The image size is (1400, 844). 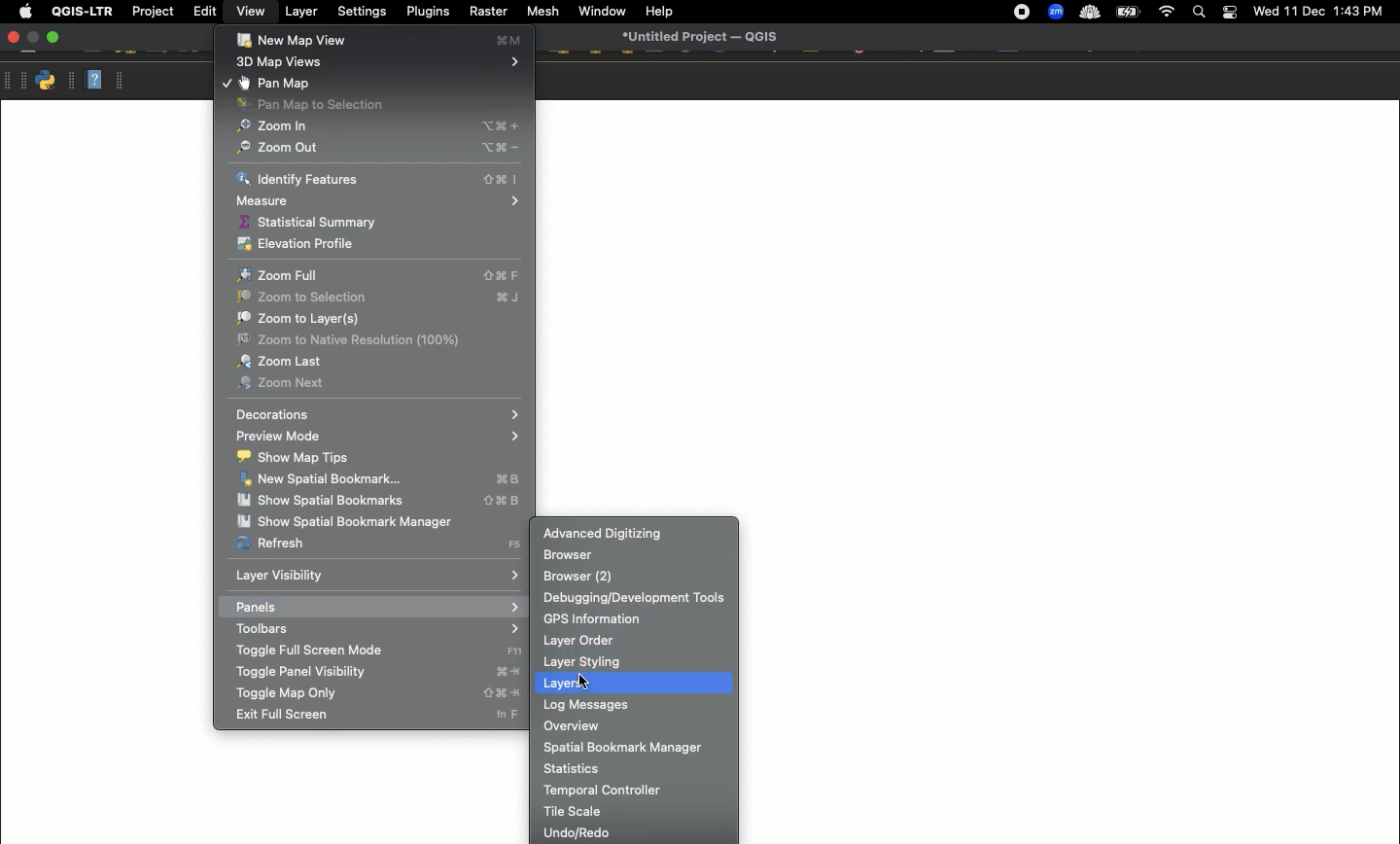 I want to click on , so click(x=69, y=83).